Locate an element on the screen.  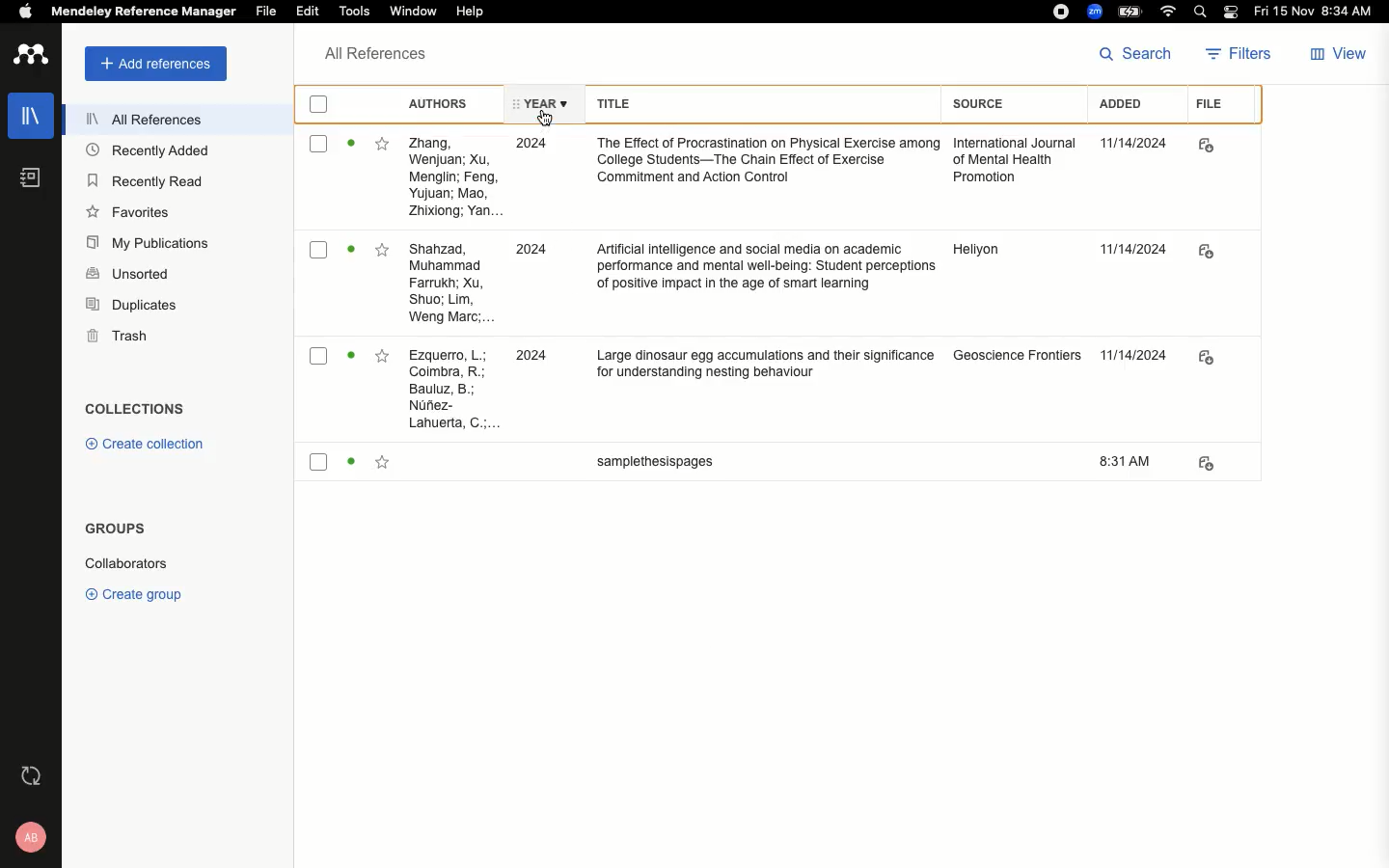
Year of publication is located at coordinates (537, 101).